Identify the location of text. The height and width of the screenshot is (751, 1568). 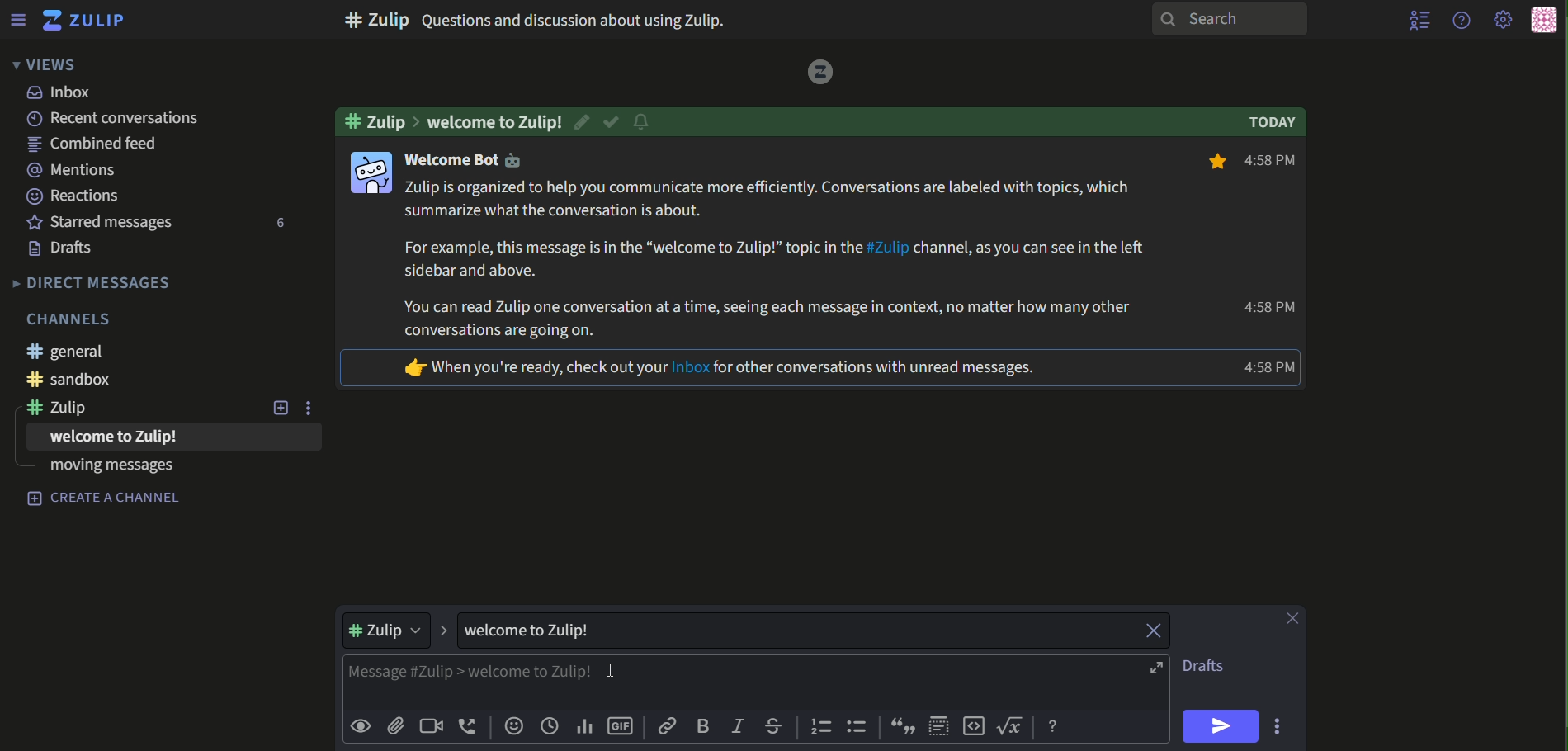
(778, 260).